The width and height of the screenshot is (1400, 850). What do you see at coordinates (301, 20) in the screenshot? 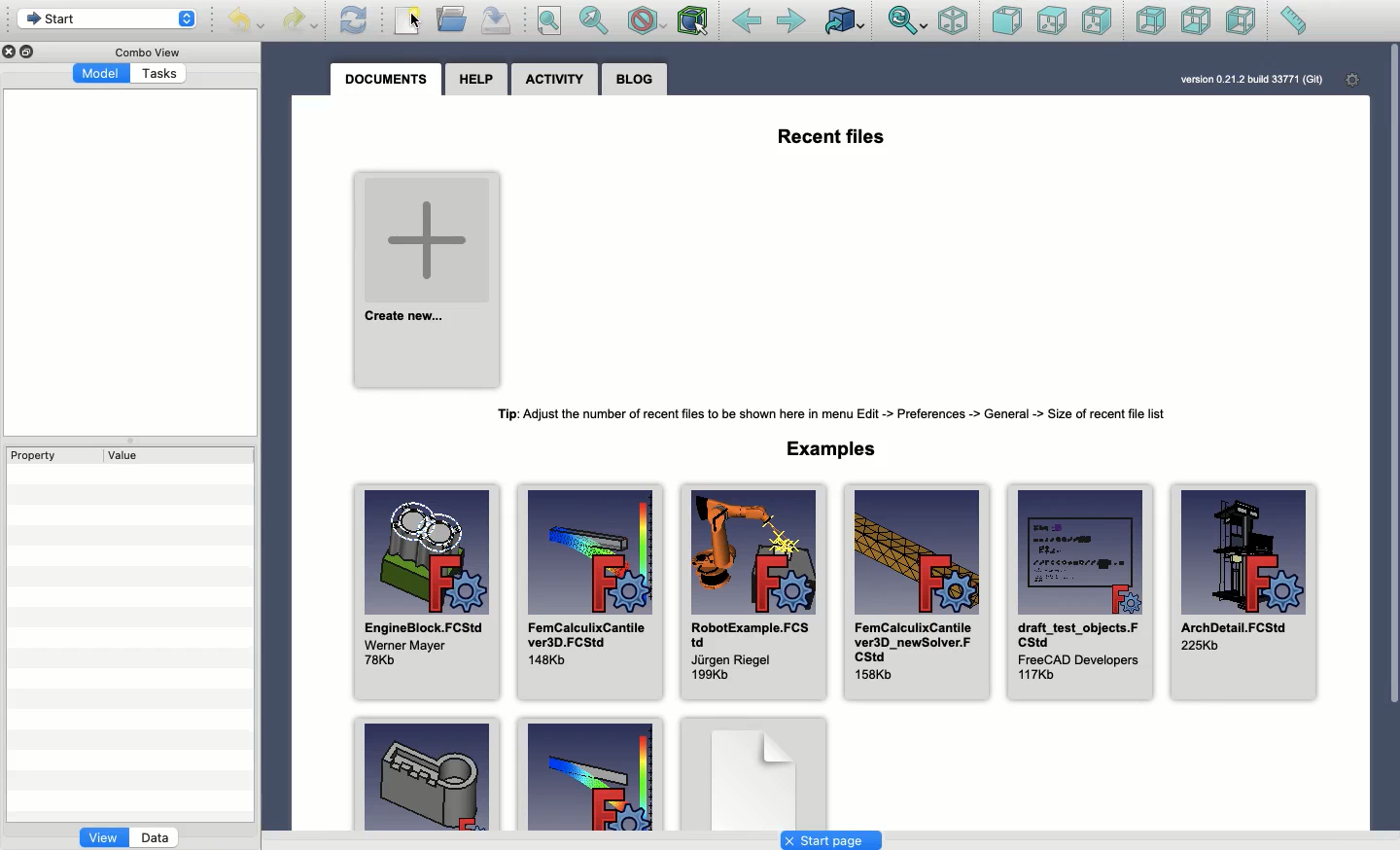
I see `Redo` at bounding box center [301, 20].